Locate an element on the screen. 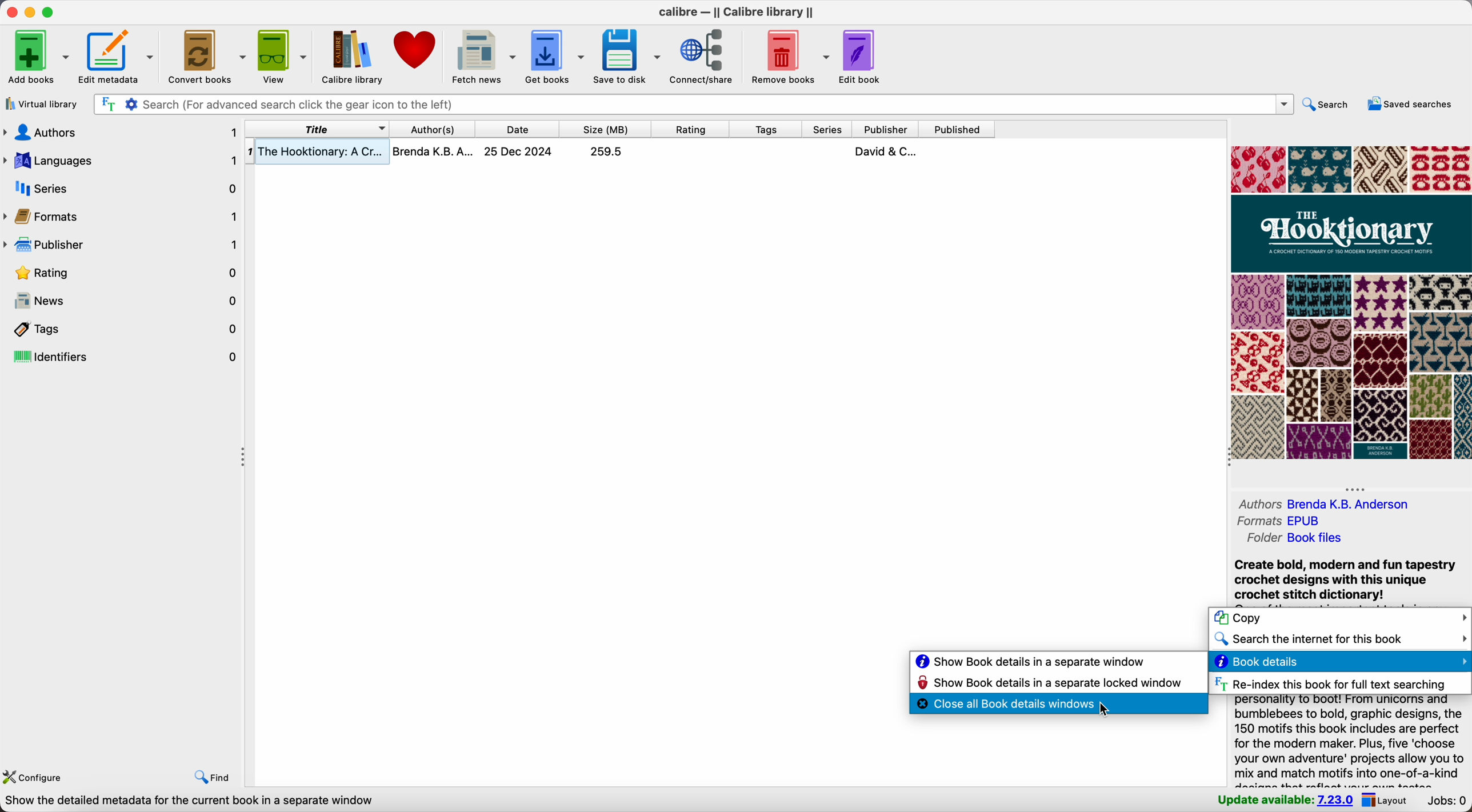 This screenshot has width=1472, height=812. add books is located at coordinates (37, 55).